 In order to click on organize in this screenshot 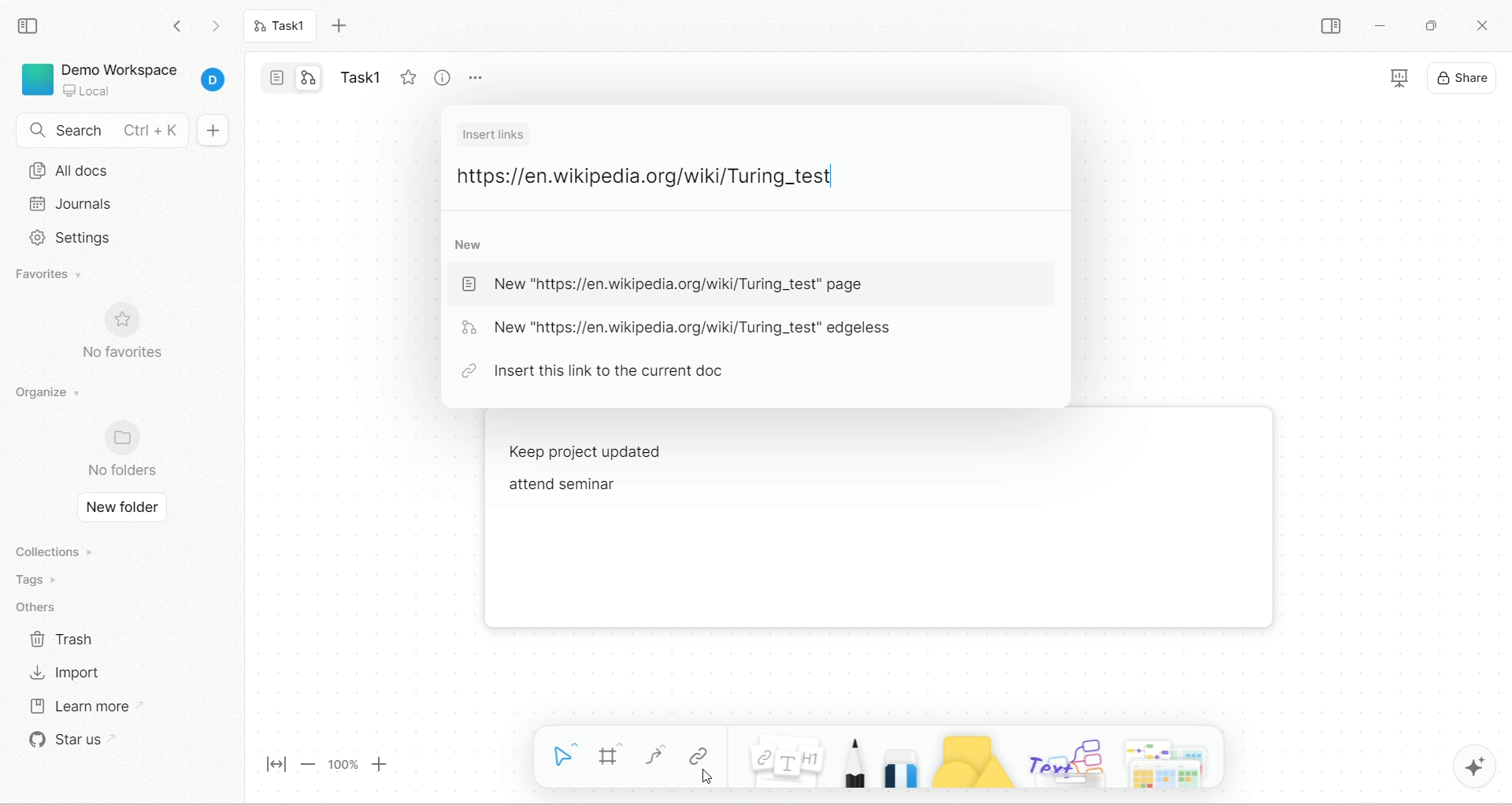, I will do `click(54, 391)`.